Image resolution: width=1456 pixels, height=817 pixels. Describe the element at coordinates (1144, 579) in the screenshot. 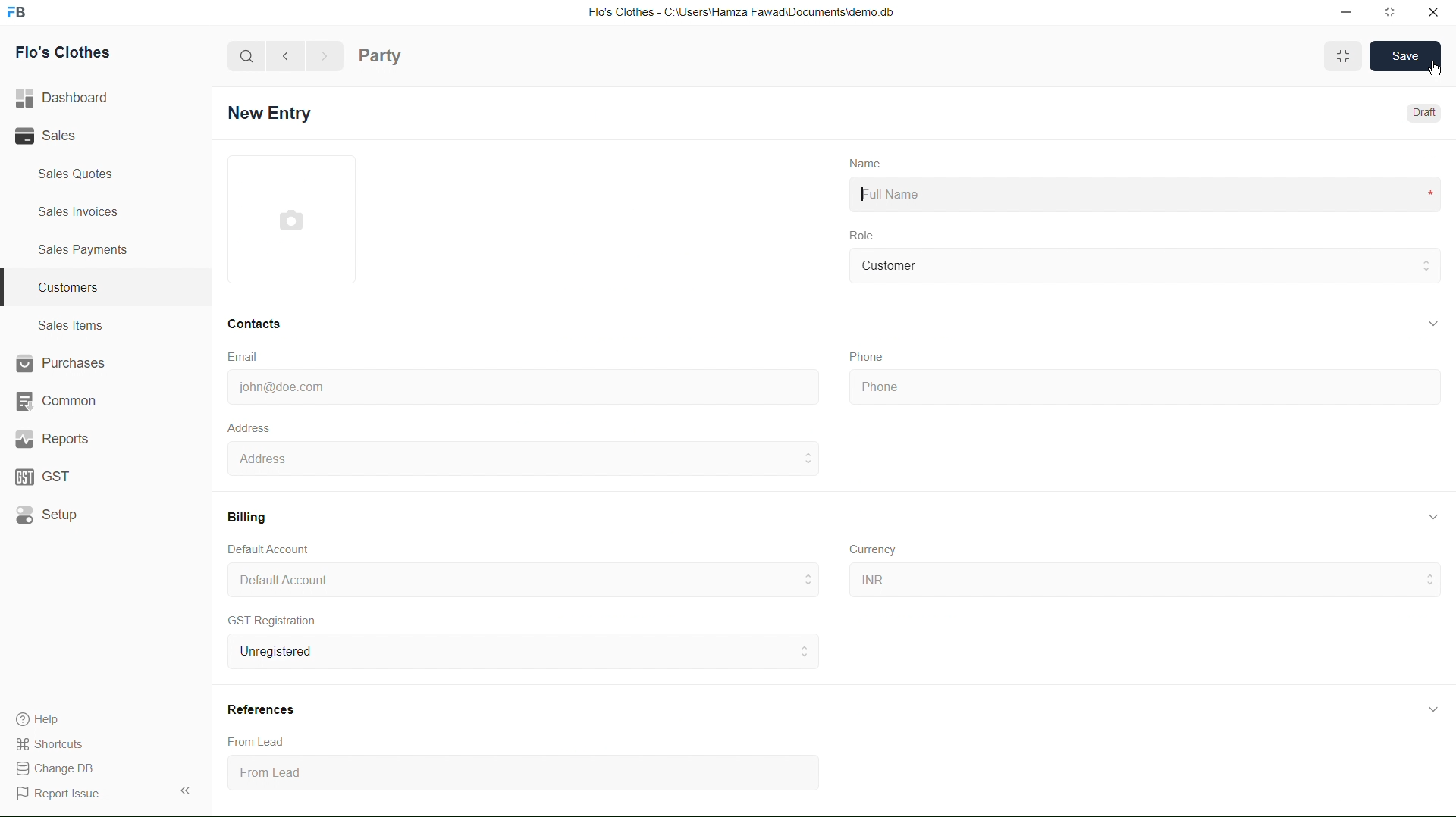

I see `INR` at that location.